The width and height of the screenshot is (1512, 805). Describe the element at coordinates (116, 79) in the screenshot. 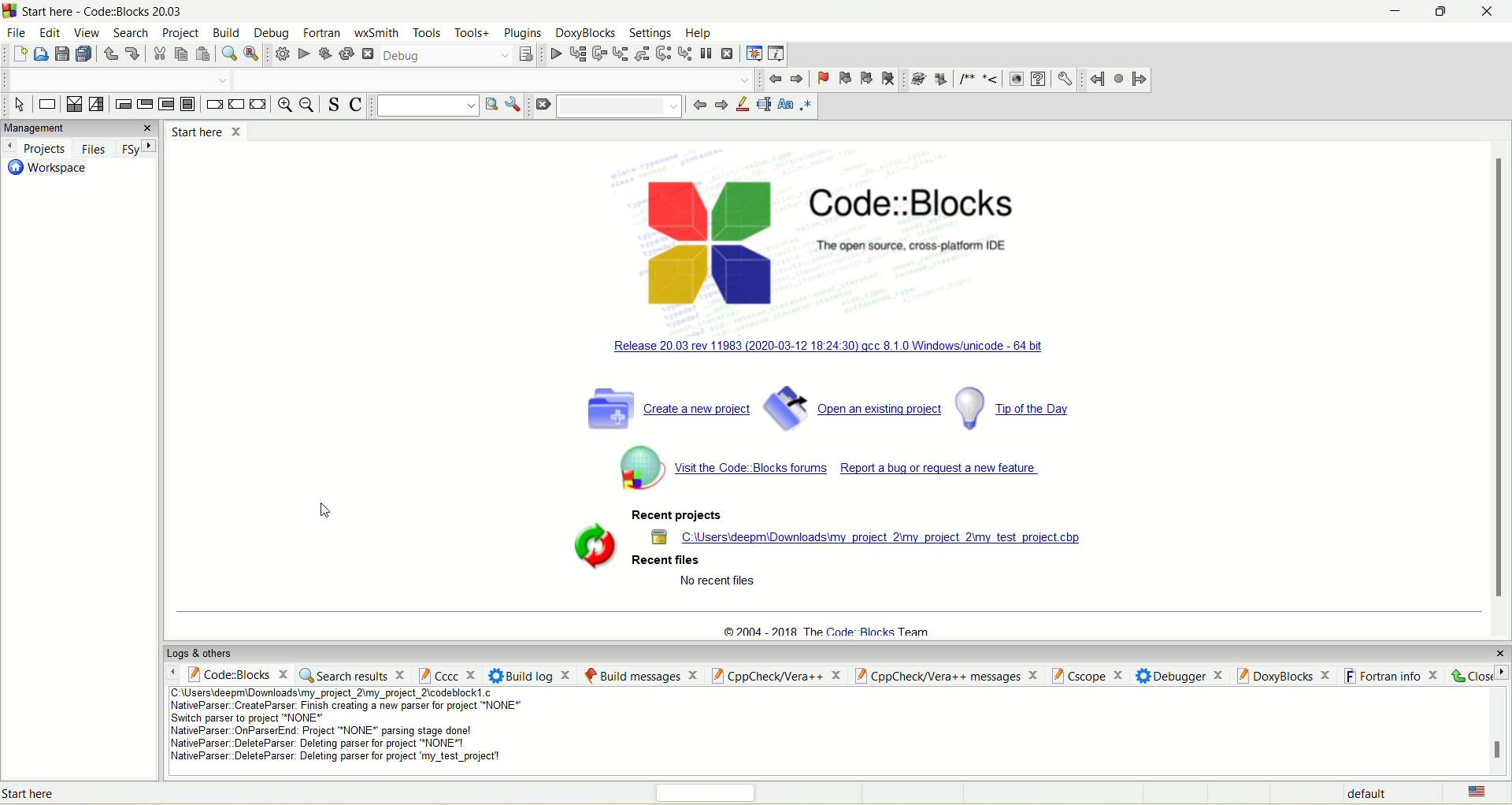

I see `blank space` at that location.